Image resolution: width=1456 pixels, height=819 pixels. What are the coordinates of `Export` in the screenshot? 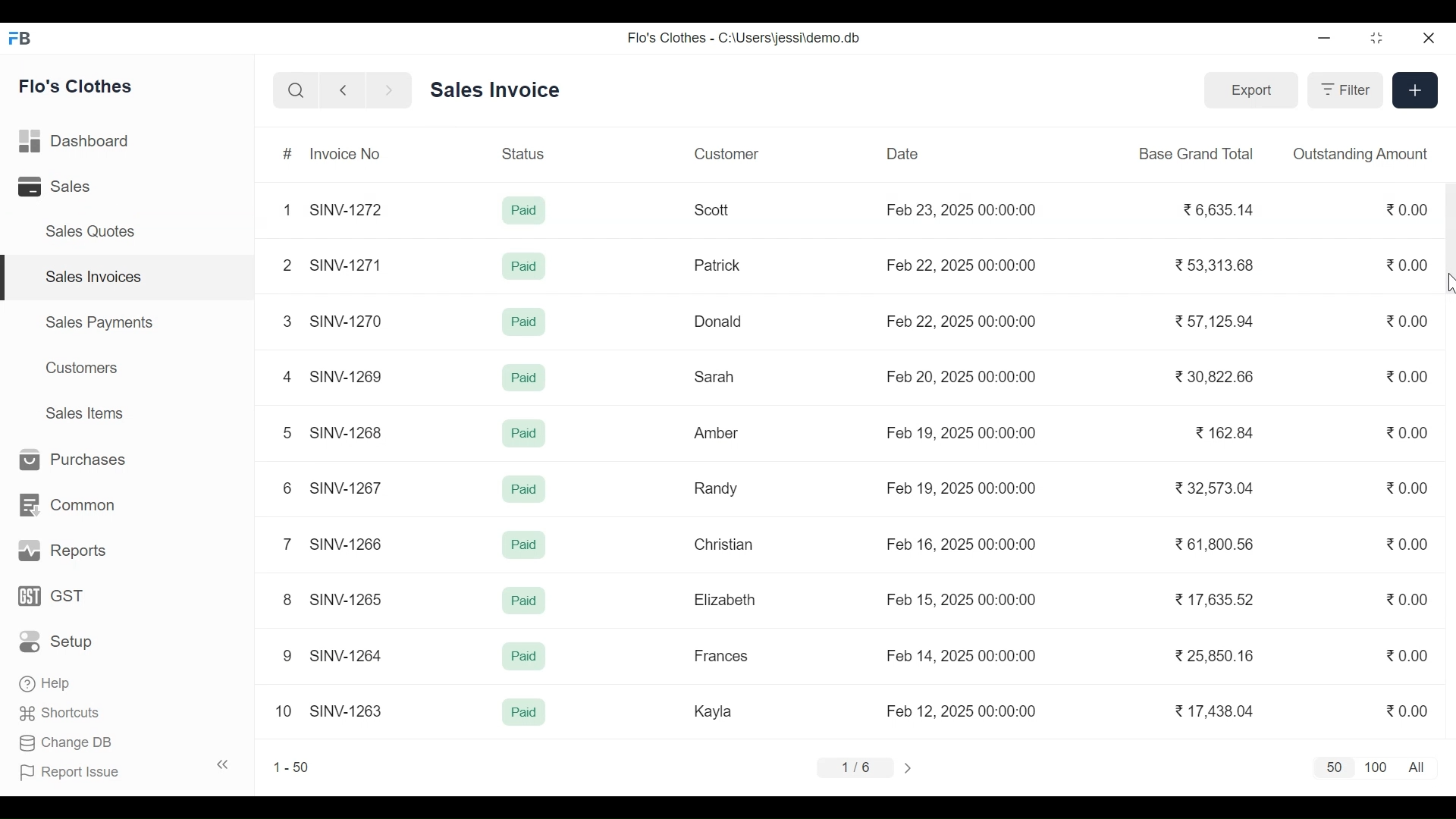 It's located at (1248, 89).